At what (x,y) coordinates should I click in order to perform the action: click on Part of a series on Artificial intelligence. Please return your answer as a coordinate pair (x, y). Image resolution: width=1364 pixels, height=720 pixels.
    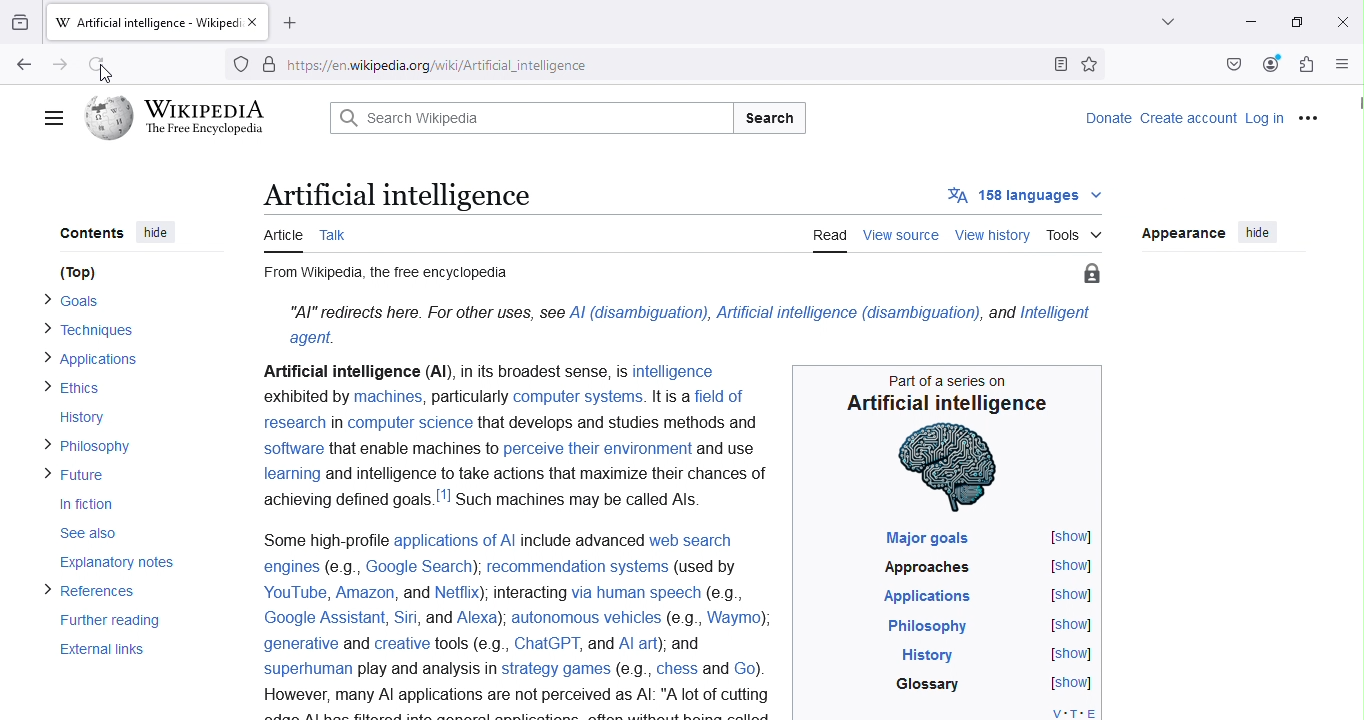
    Looking at the image, I should click on (938, 391).